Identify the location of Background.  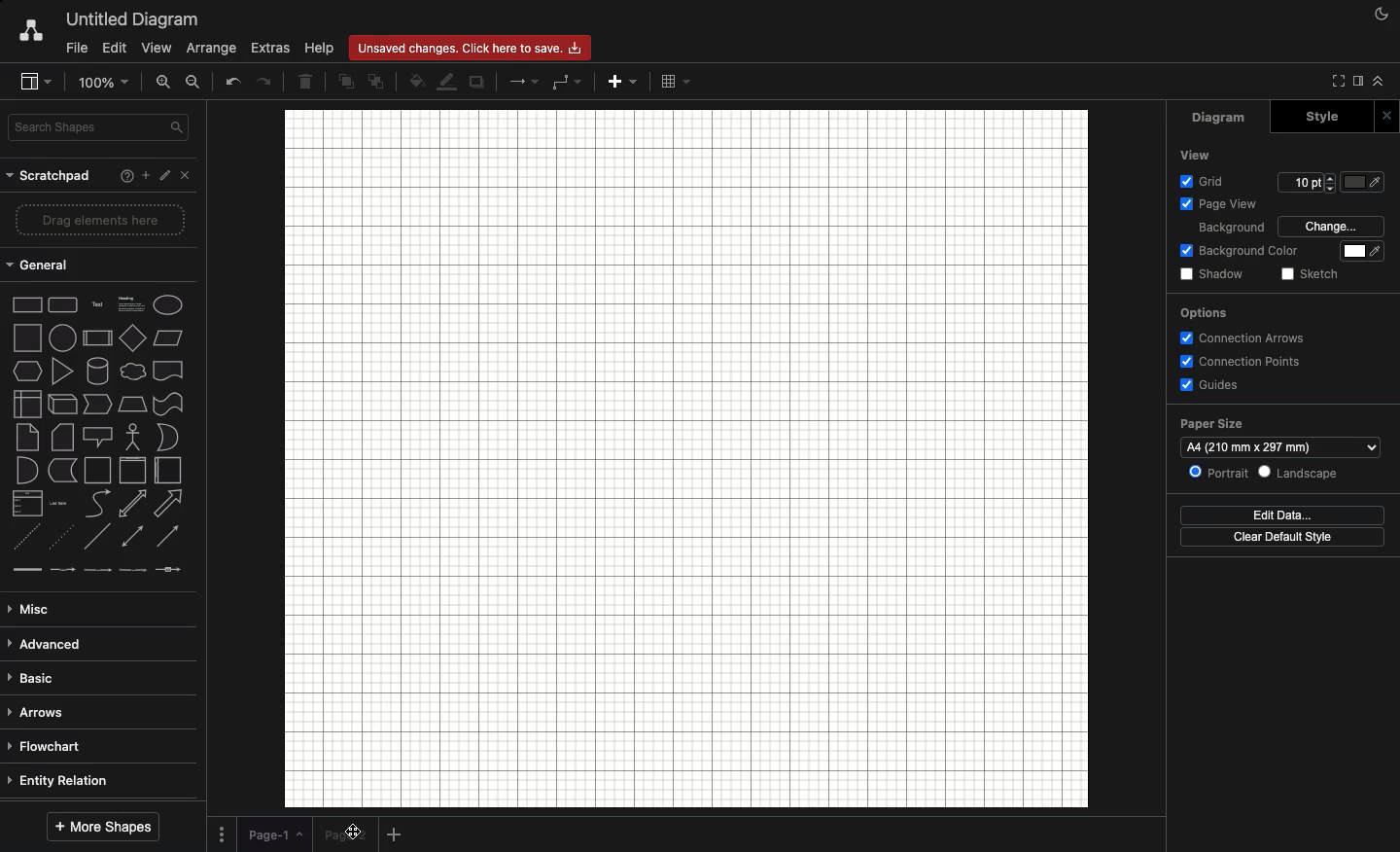
(1229, 228).